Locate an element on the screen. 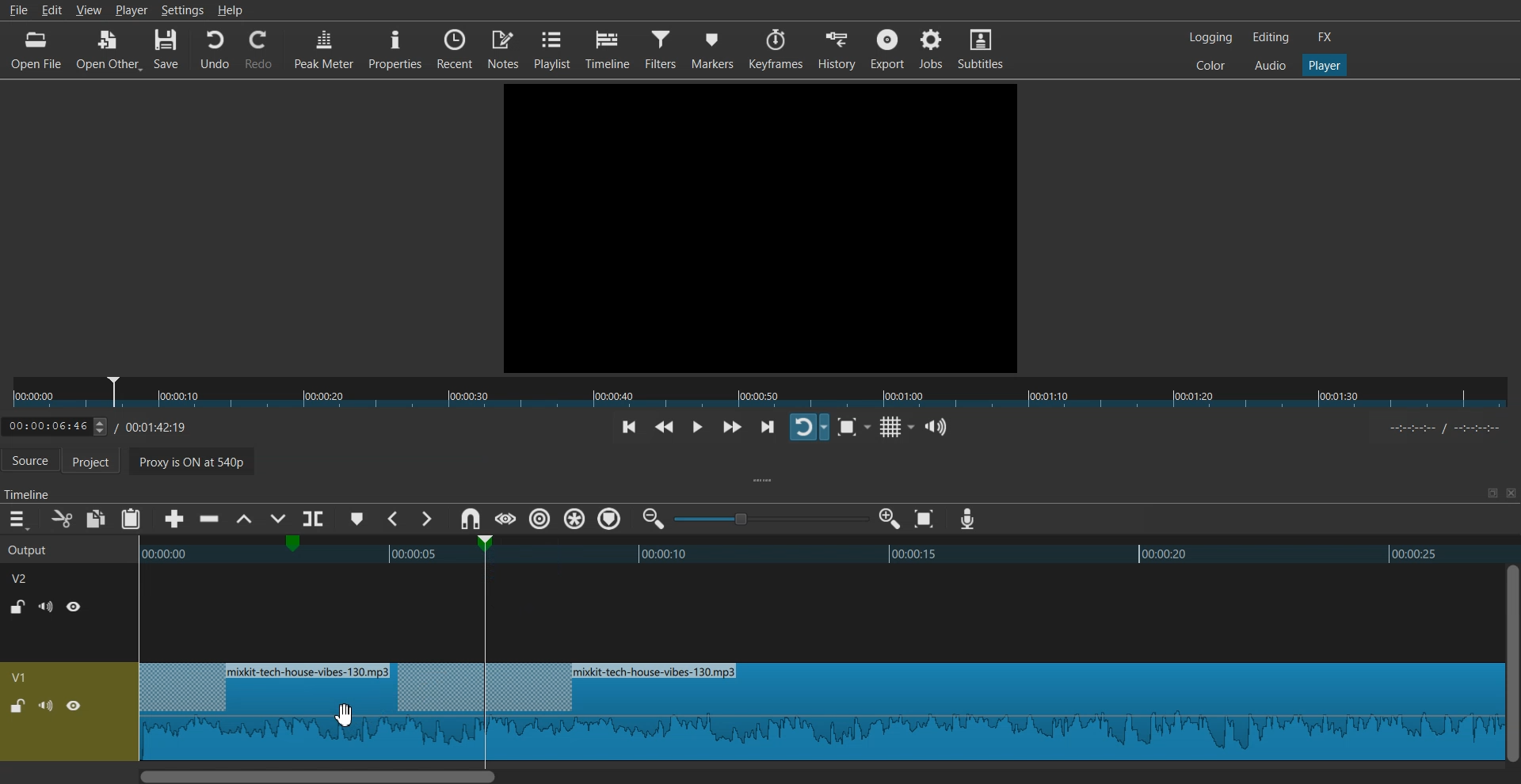 The image size is (1521, 784). Proxy is ON at 540p is located at coordinates (307, 463).